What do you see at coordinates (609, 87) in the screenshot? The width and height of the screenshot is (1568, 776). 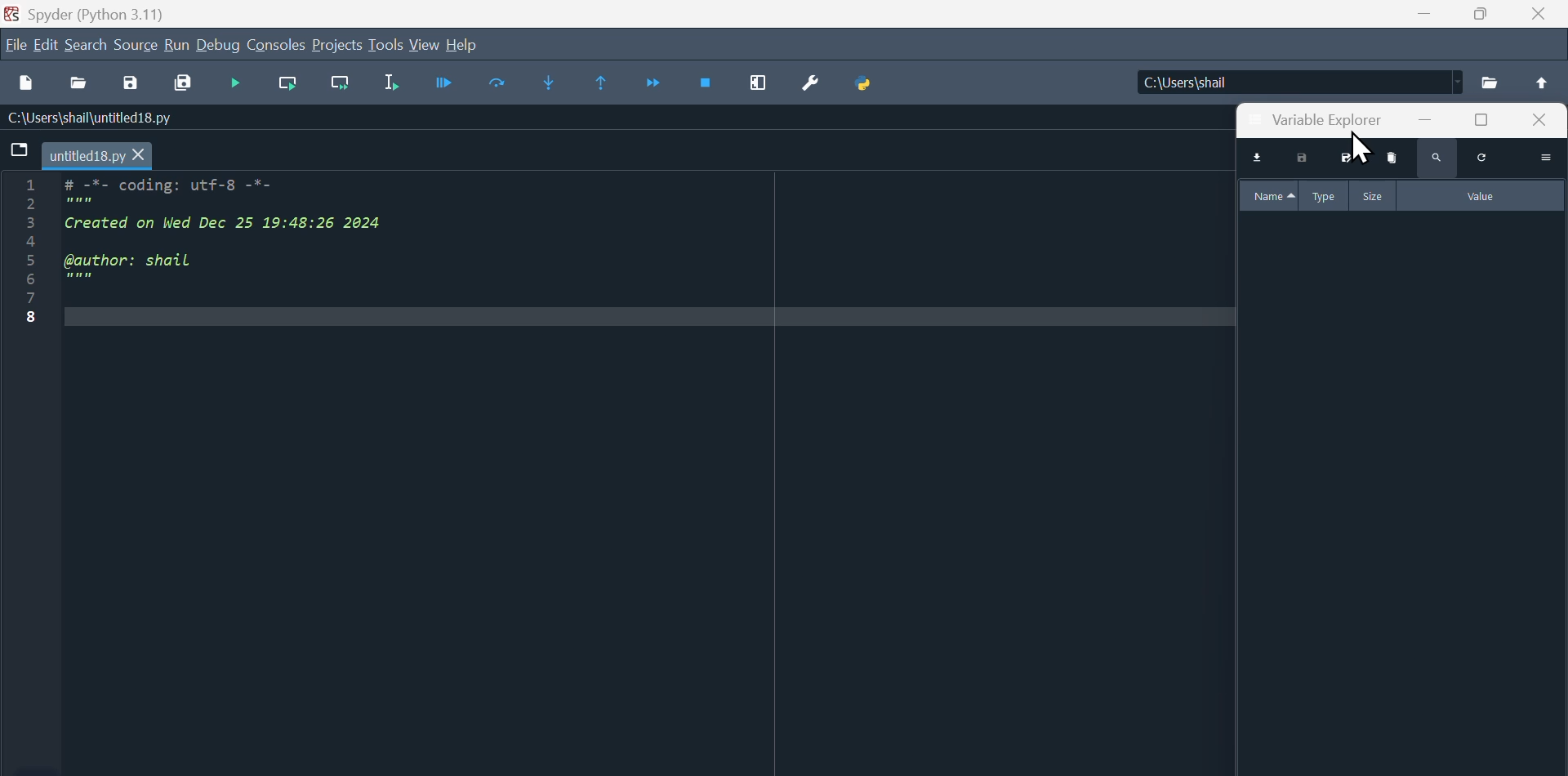 I see `Run untill Current function teturns` at bounding box center [609, 87].